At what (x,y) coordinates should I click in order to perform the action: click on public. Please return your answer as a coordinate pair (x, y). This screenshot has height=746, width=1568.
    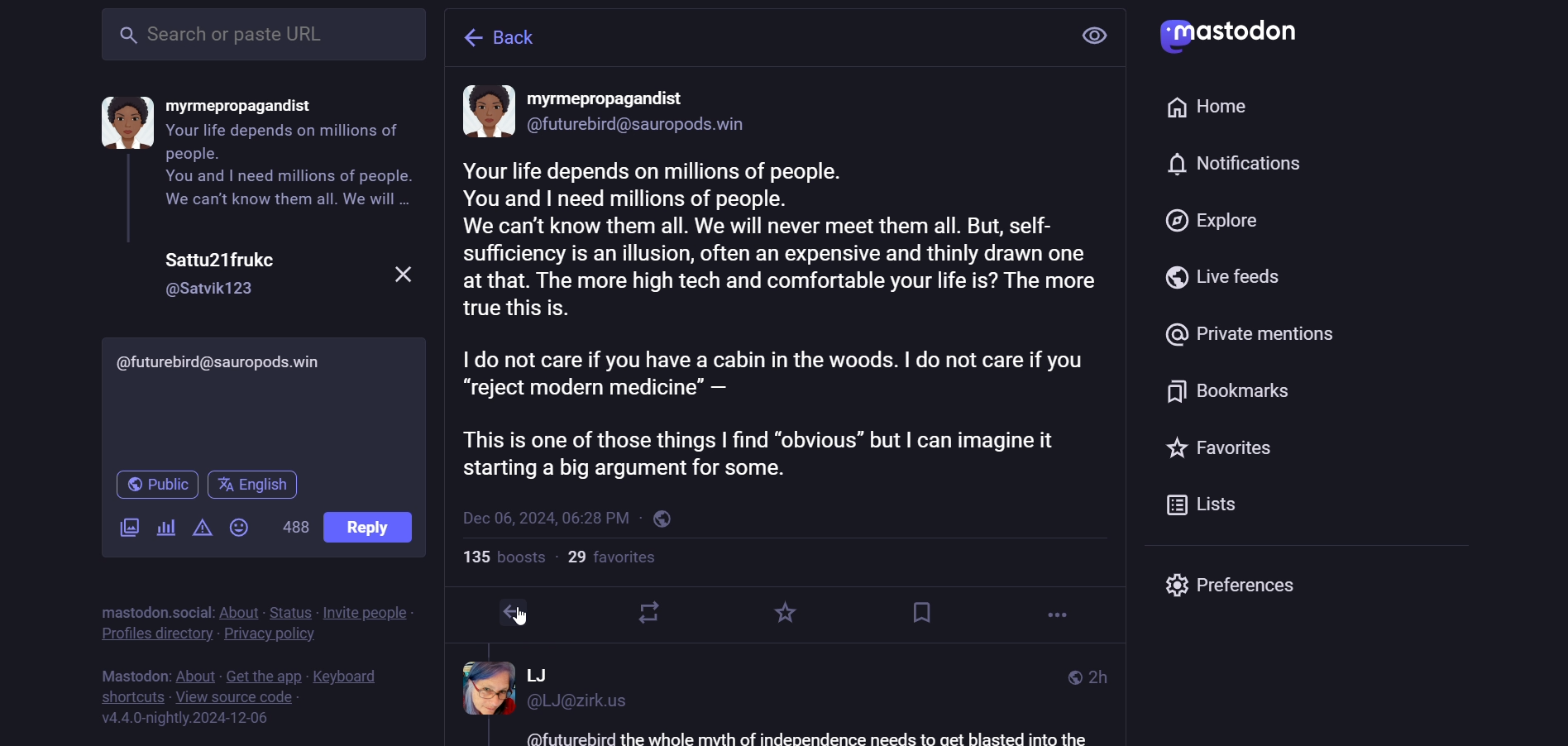
    Looking at the image, I should click on (1073, 677).